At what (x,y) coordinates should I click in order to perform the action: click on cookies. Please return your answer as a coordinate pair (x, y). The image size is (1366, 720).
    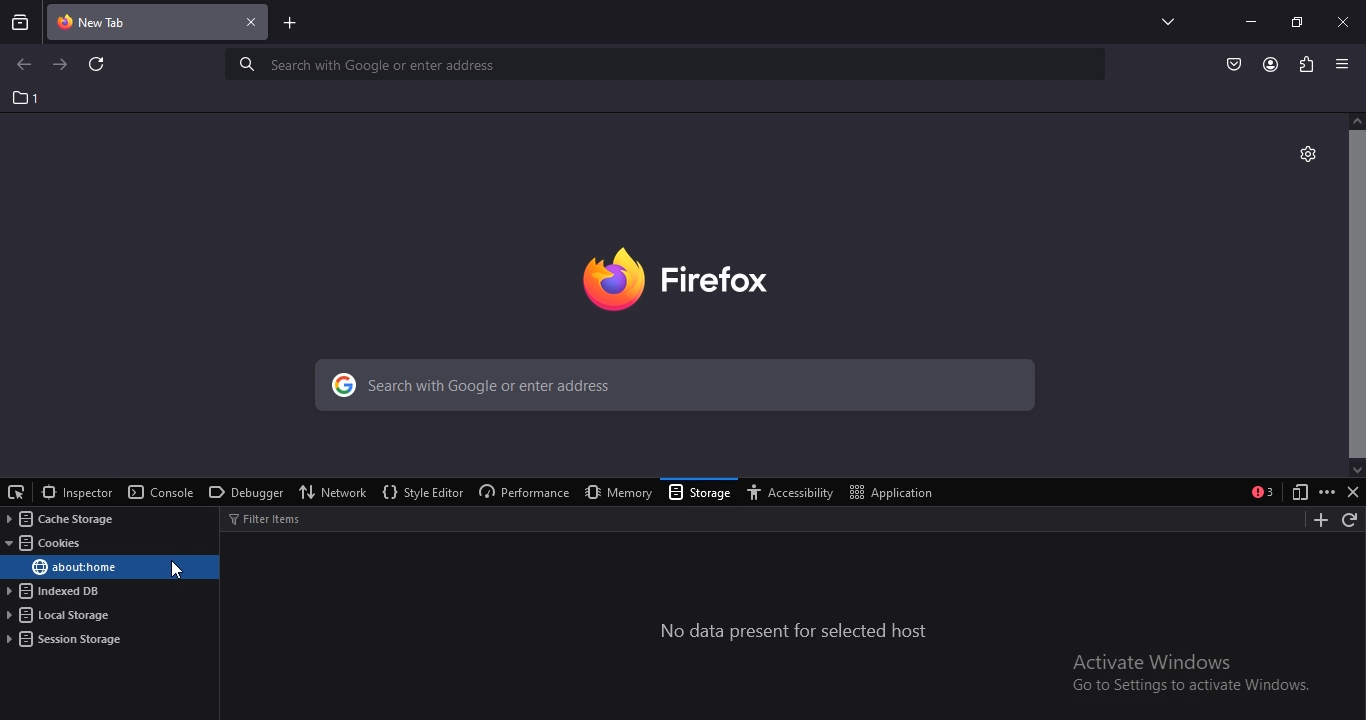
    Looking at the image, I should click on (48, 544).